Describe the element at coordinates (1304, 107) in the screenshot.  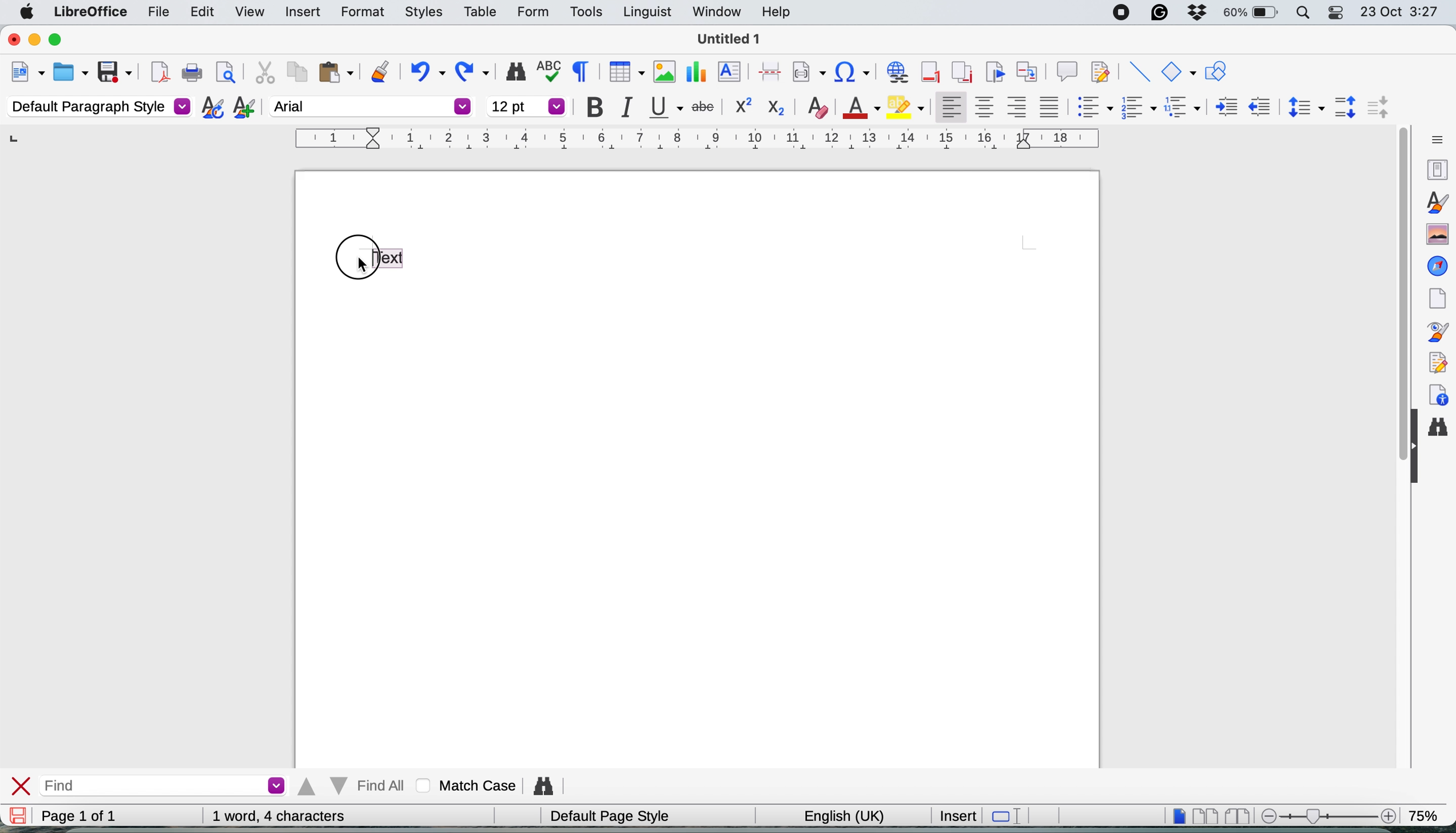
I see `set line spacing` at that location.